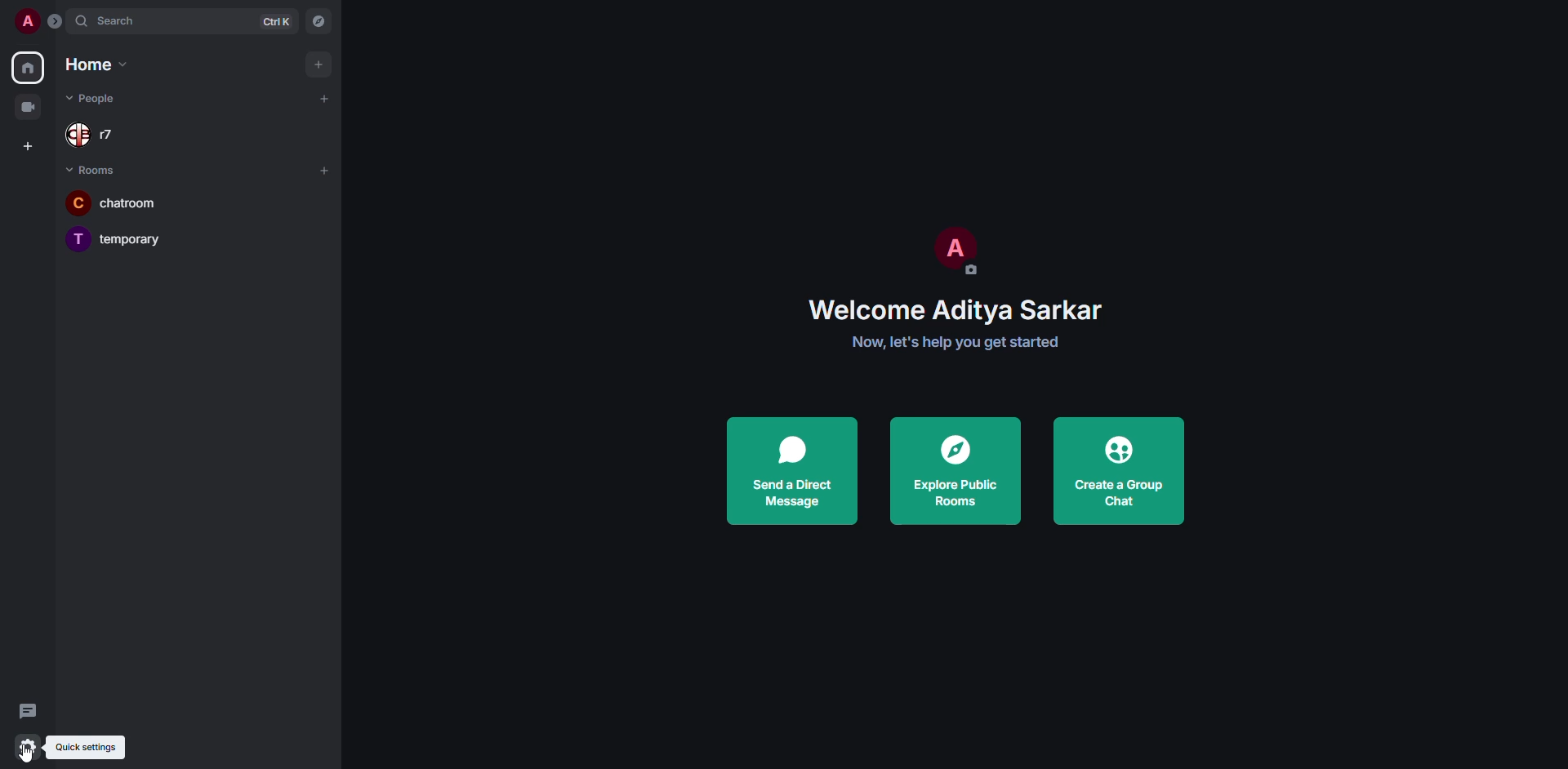 The width and height of the screenshot is (1568, 769). I want to click on add, so click(318, 64).